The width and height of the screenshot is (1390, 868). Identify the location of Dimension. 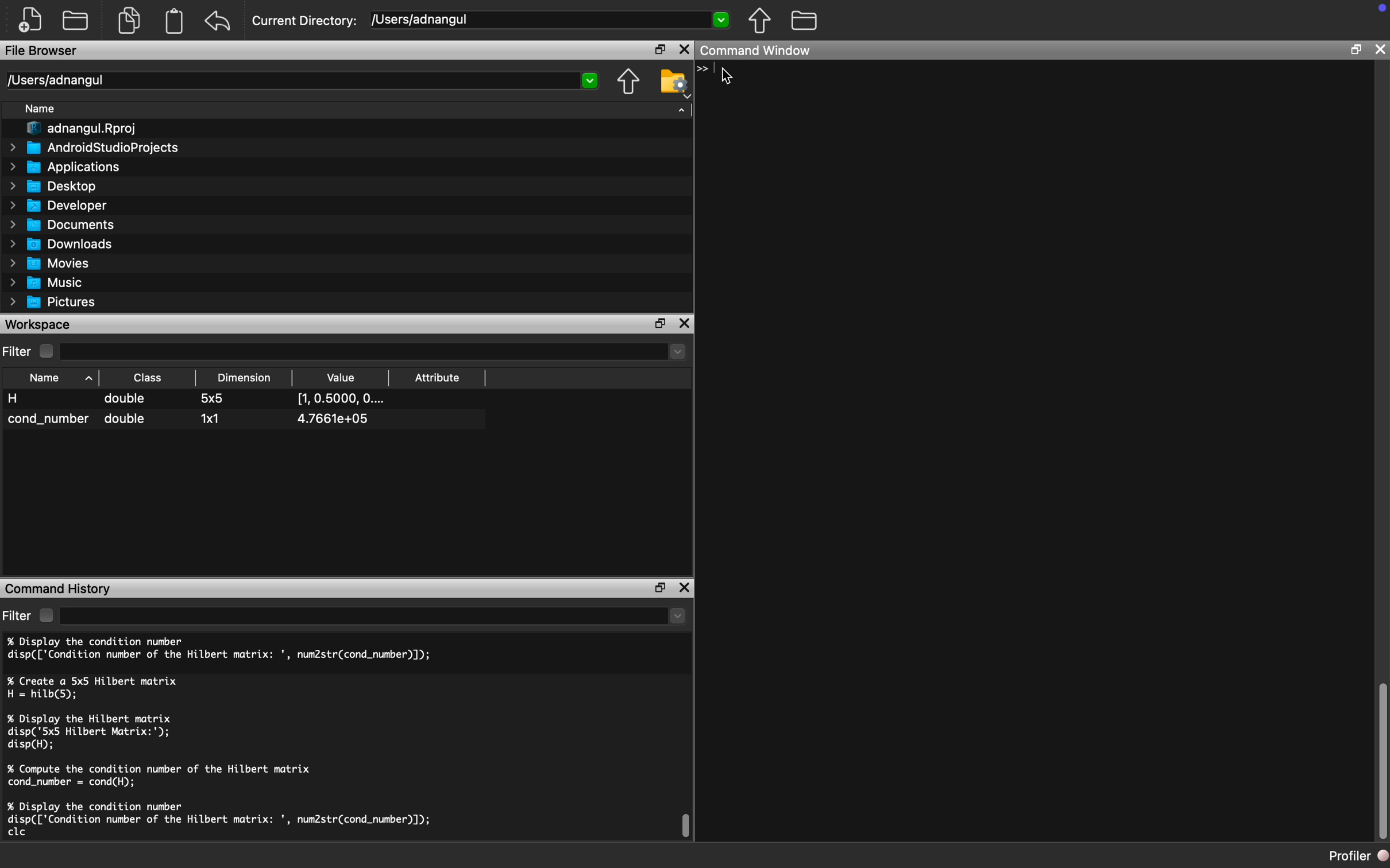
(248, 378).